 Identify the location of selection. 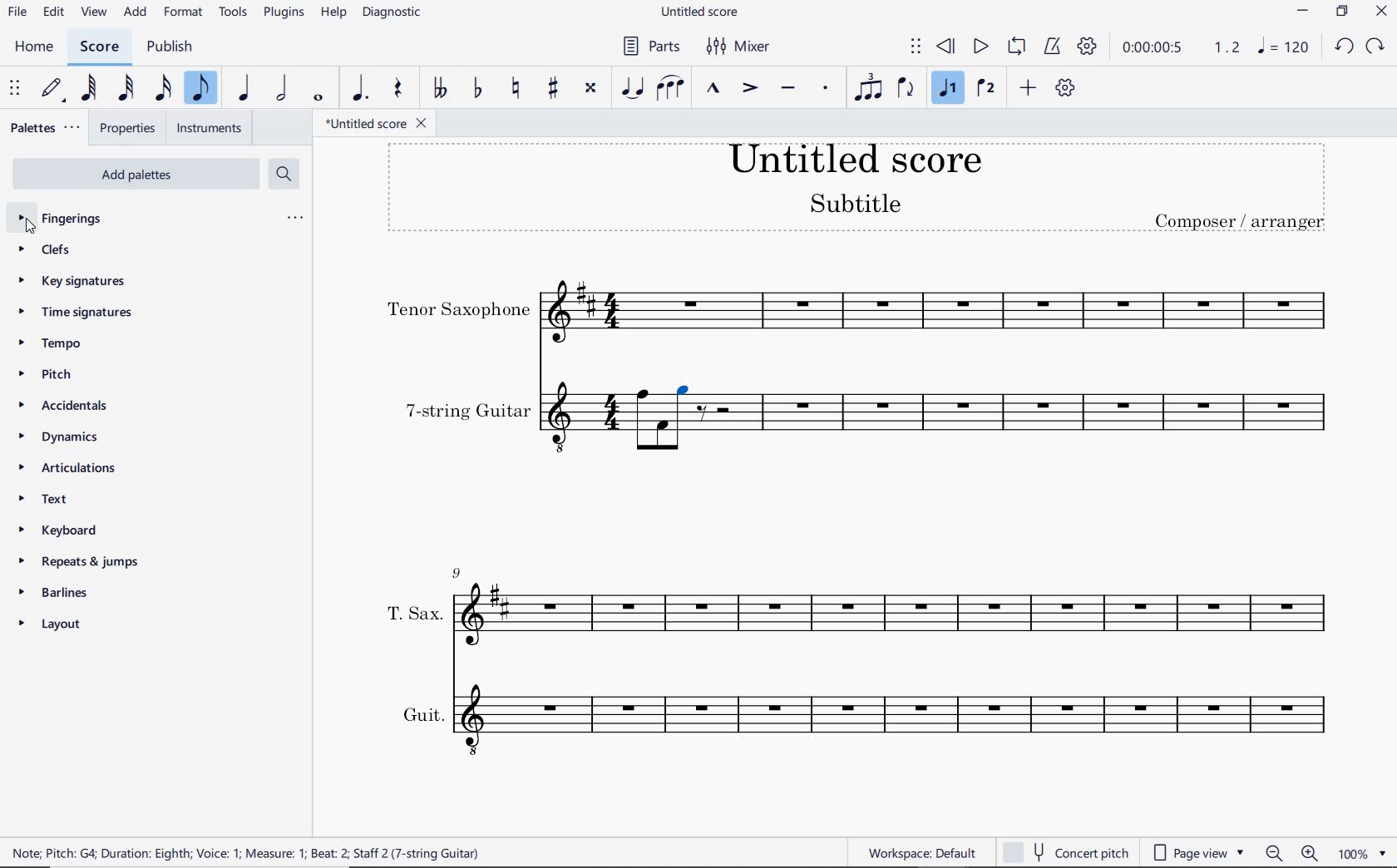
(686, 392).